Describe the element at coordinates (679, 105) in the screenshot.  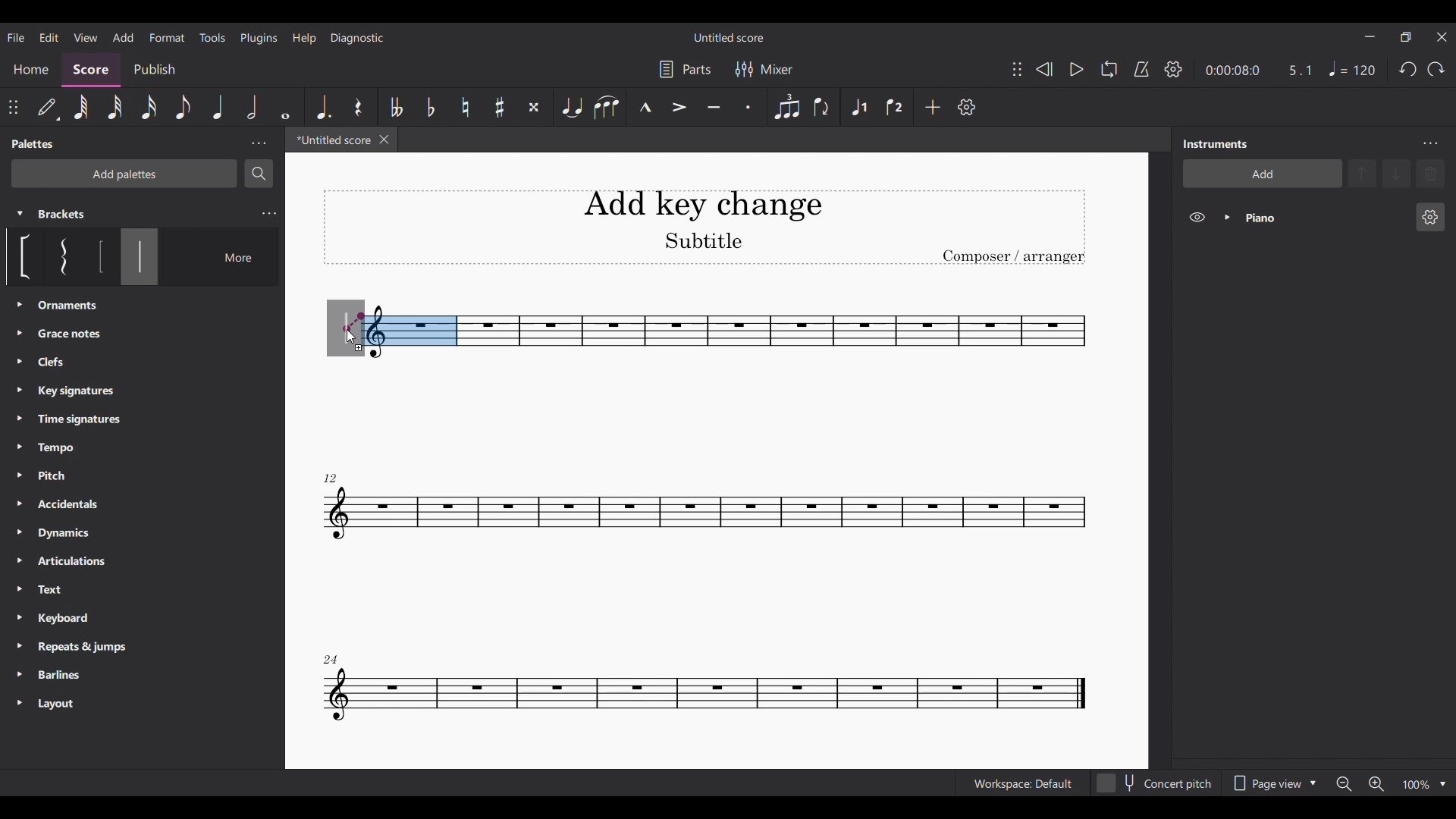
I see `Accent` at that location.